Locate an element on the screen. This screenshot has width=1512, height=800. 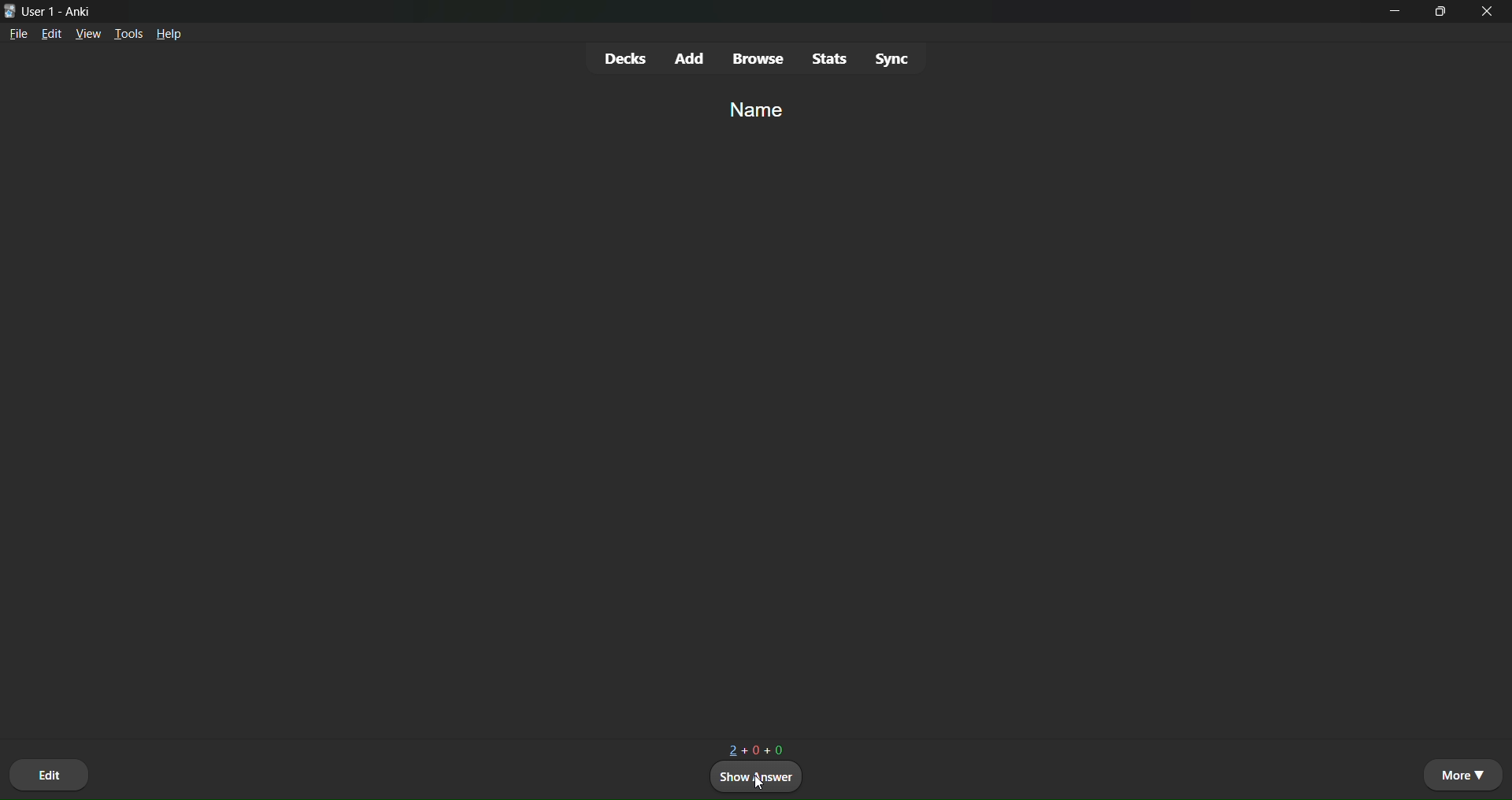
help is located at coordinates (172, 35).